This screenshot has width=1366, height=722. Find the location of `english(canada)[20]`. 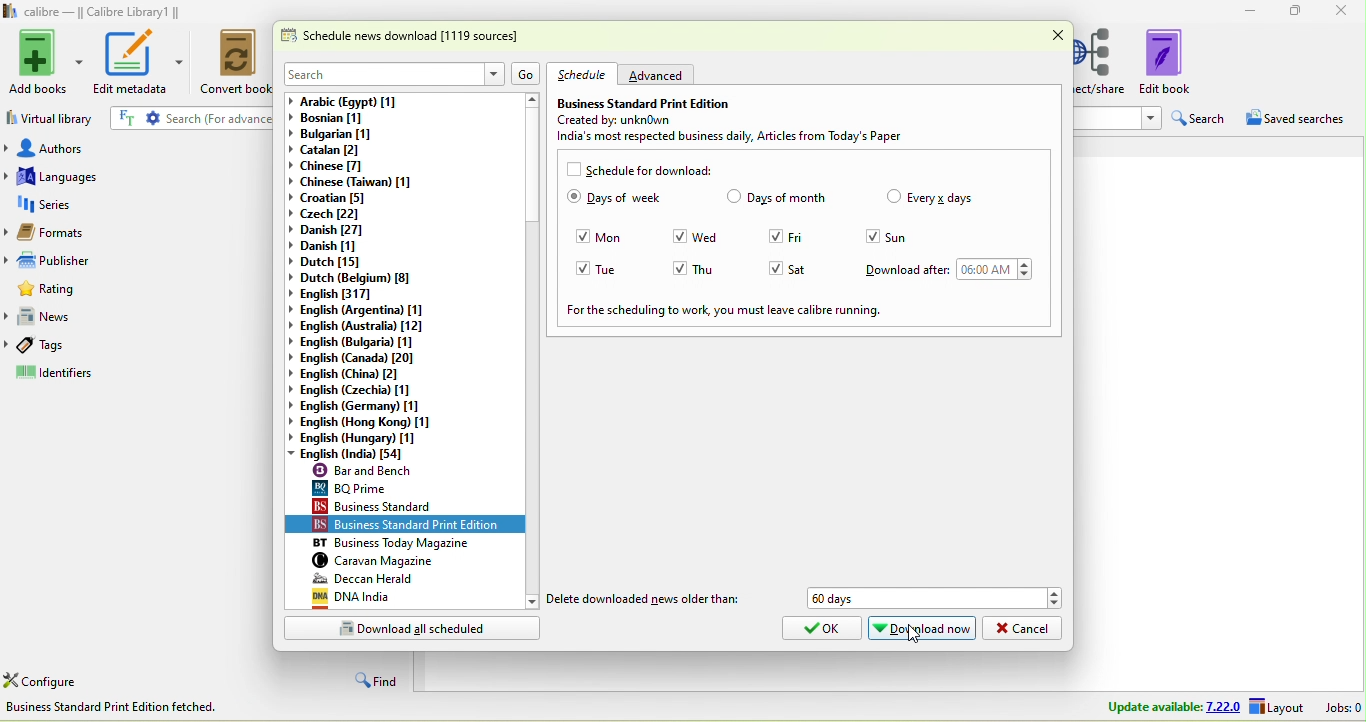

english(canada)[20] is located at coordinates (360, 358).